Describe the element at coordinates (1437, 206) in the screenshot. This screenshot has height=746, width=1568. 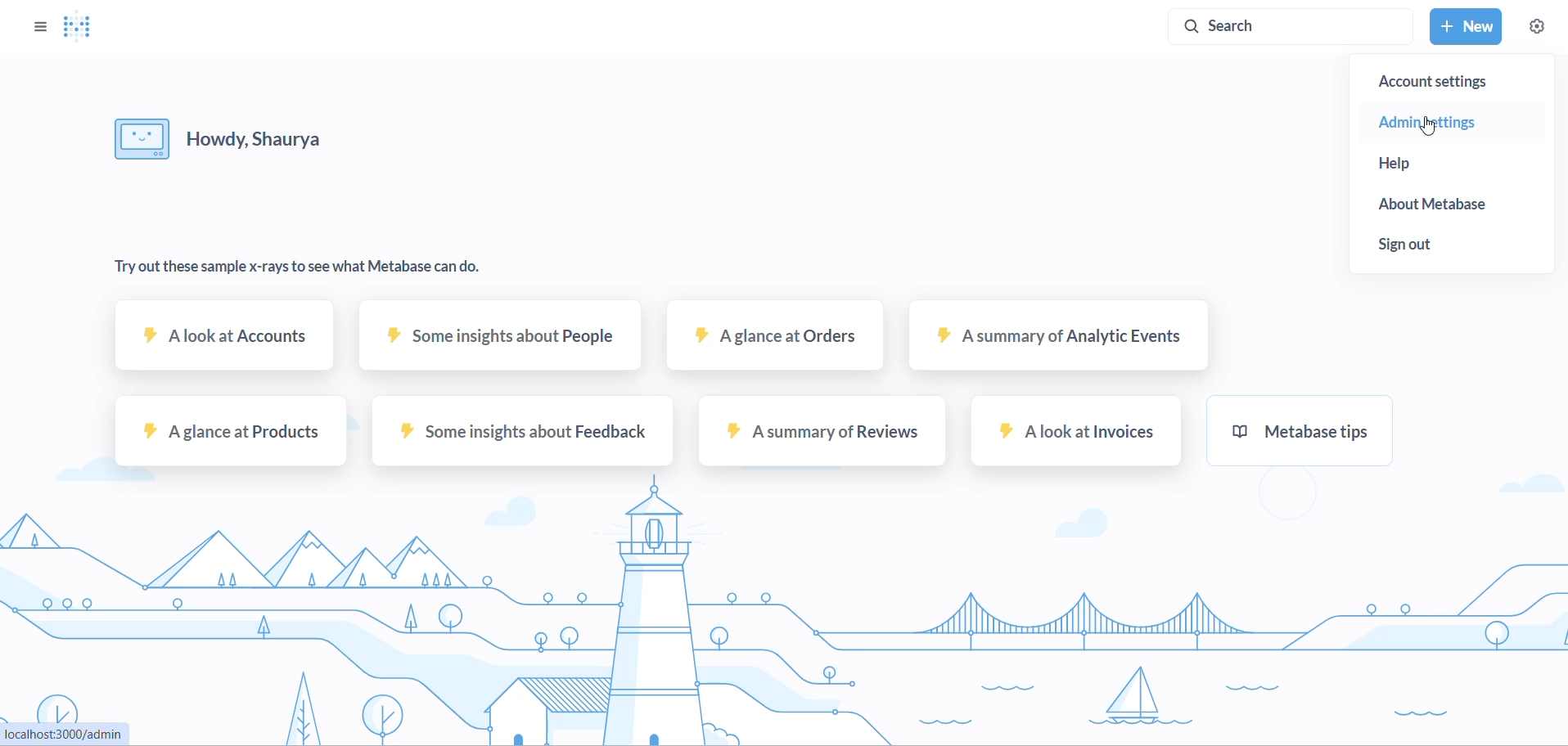
I see `about metabase` at that location.